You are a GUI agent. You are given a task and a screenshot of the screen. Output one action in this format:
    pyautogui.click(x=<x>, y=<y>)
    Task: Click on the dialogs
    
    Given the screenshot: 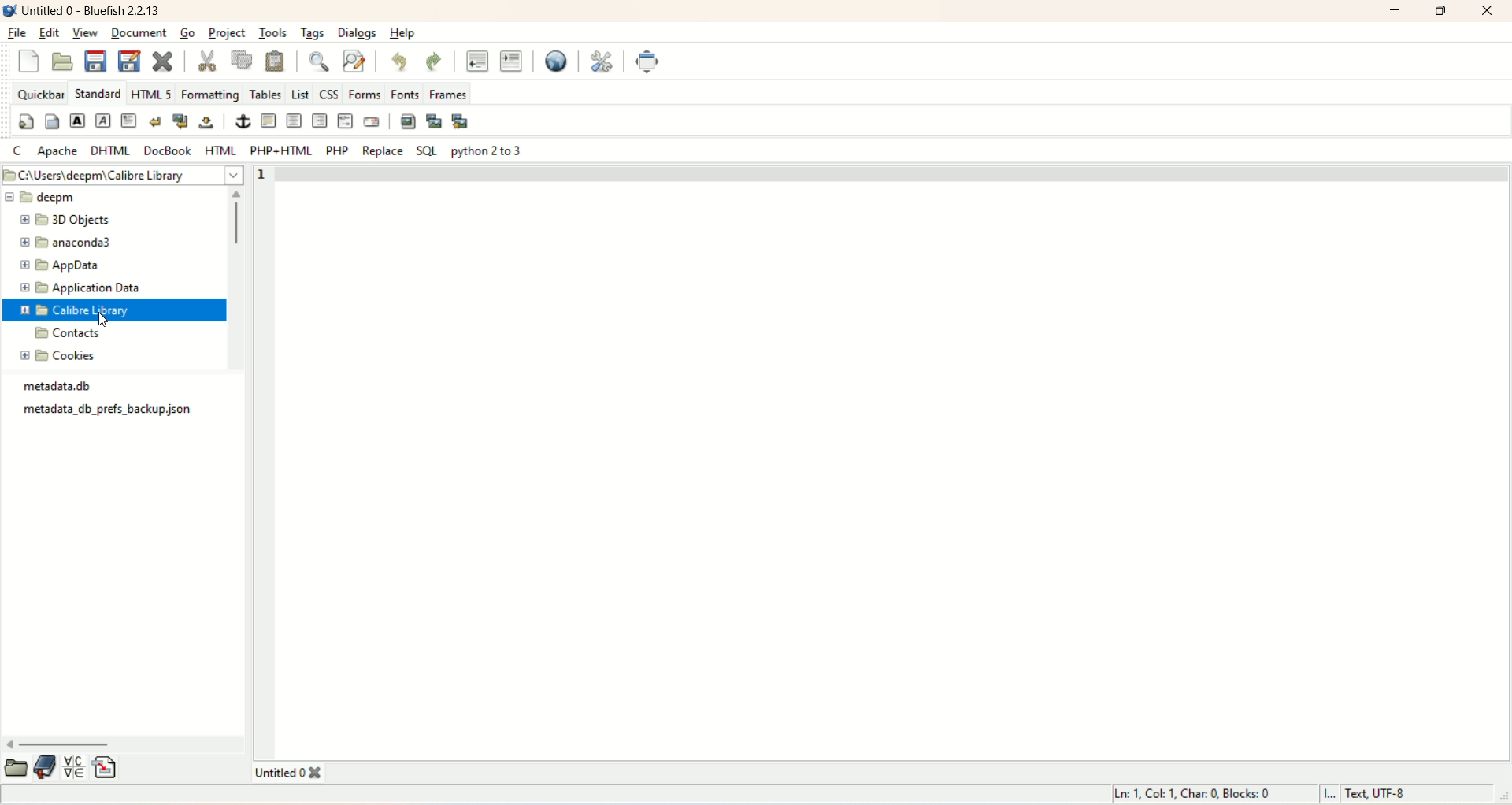 What is the action you would take?
    pyautogui.click(x=358, y=33)
    